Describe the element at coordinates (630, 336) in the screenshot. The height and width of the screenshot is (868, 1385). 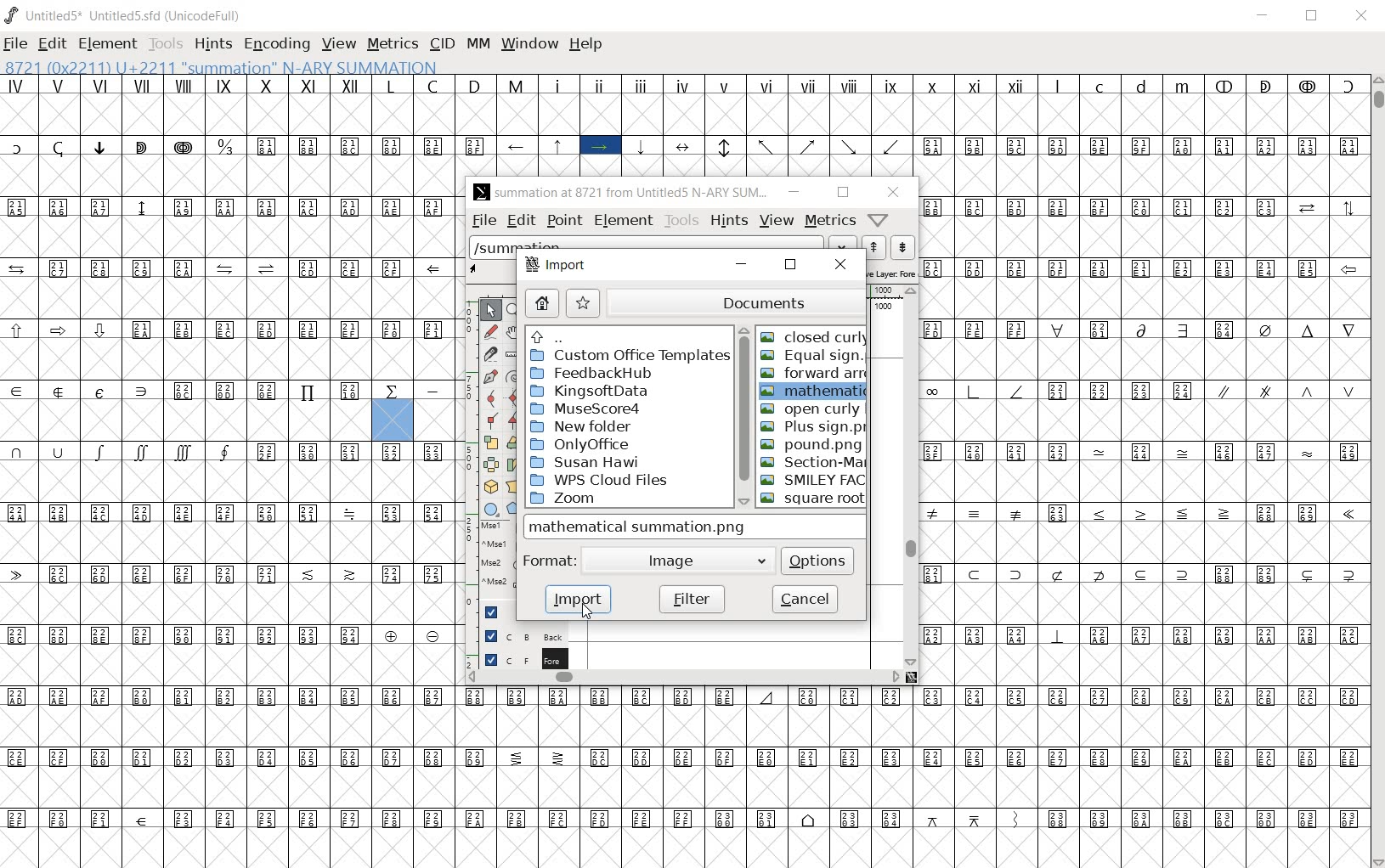
I see `up directories` at that location.